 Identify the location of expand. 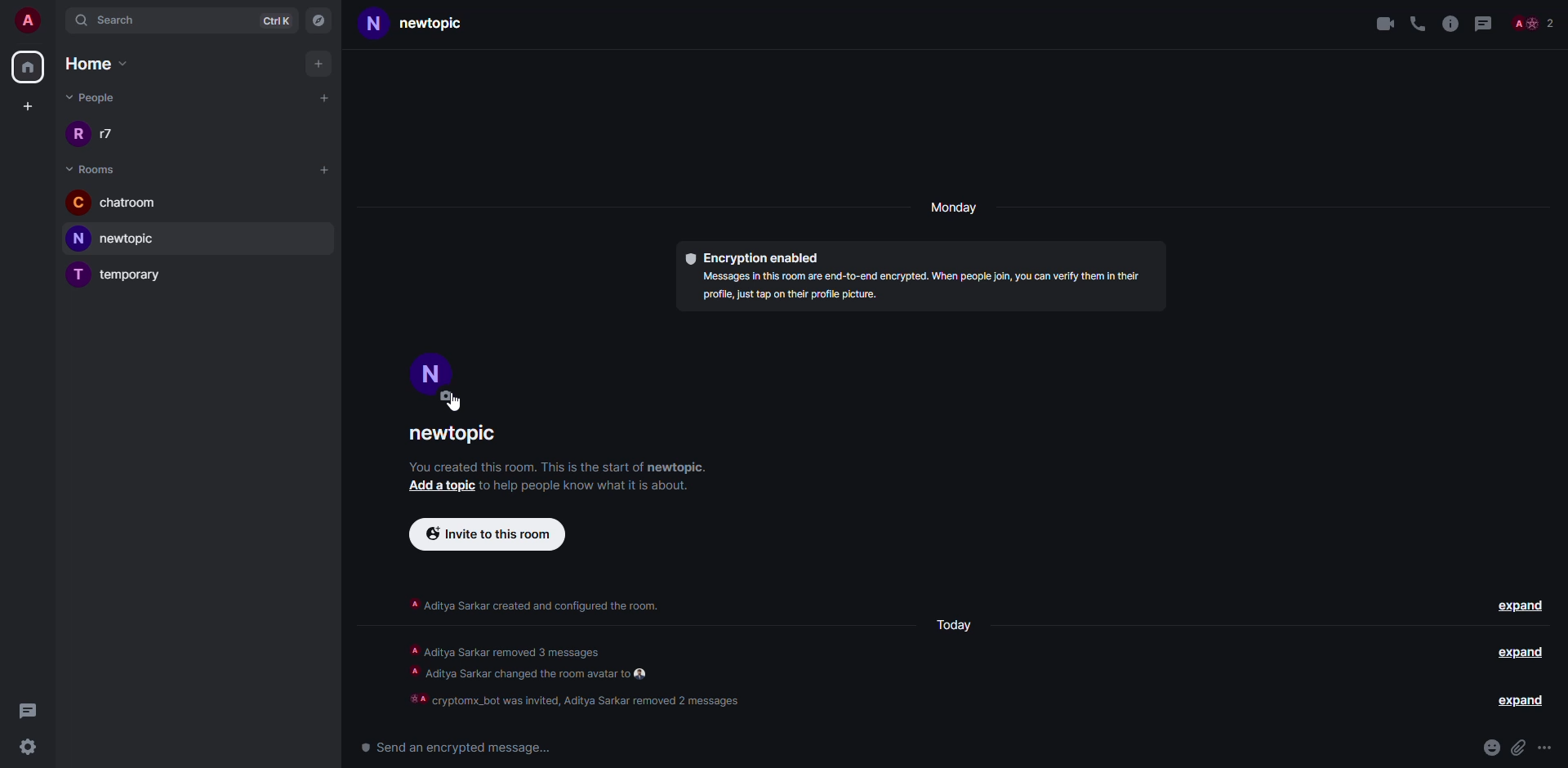
(1515, 701).